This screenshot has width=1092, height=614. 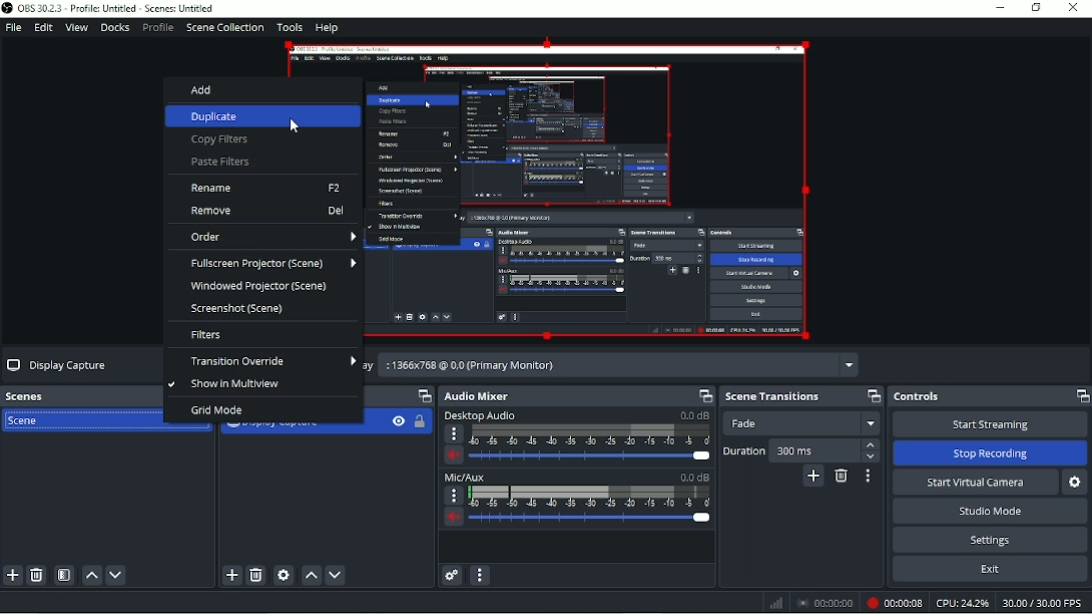 What do you see at coordinates (479, 417) in the screenshot?
I see `Desktop Audio` at bounding box center [479, 417].